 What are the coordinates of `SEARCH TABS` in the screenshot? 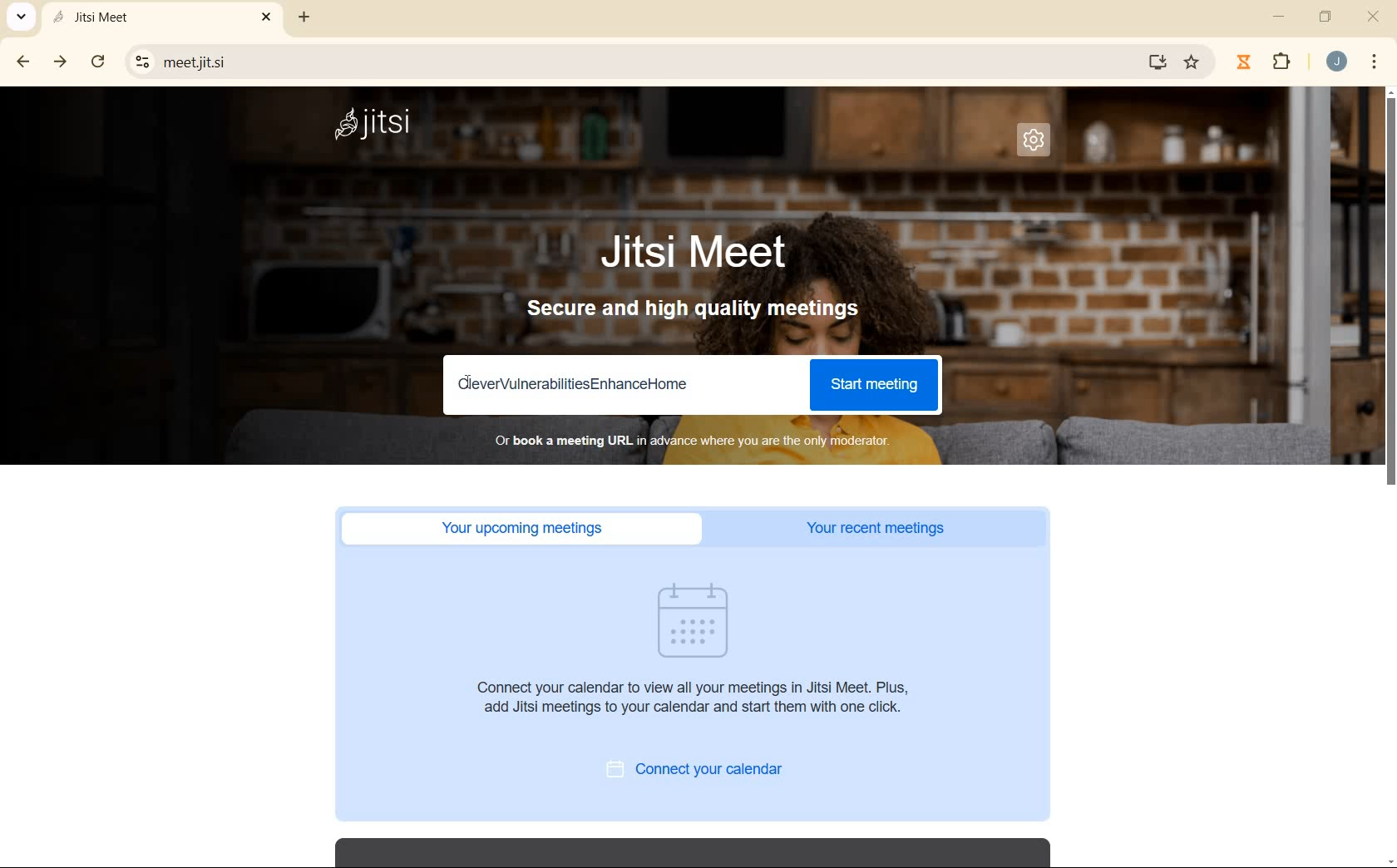 It's located at (18, 17).